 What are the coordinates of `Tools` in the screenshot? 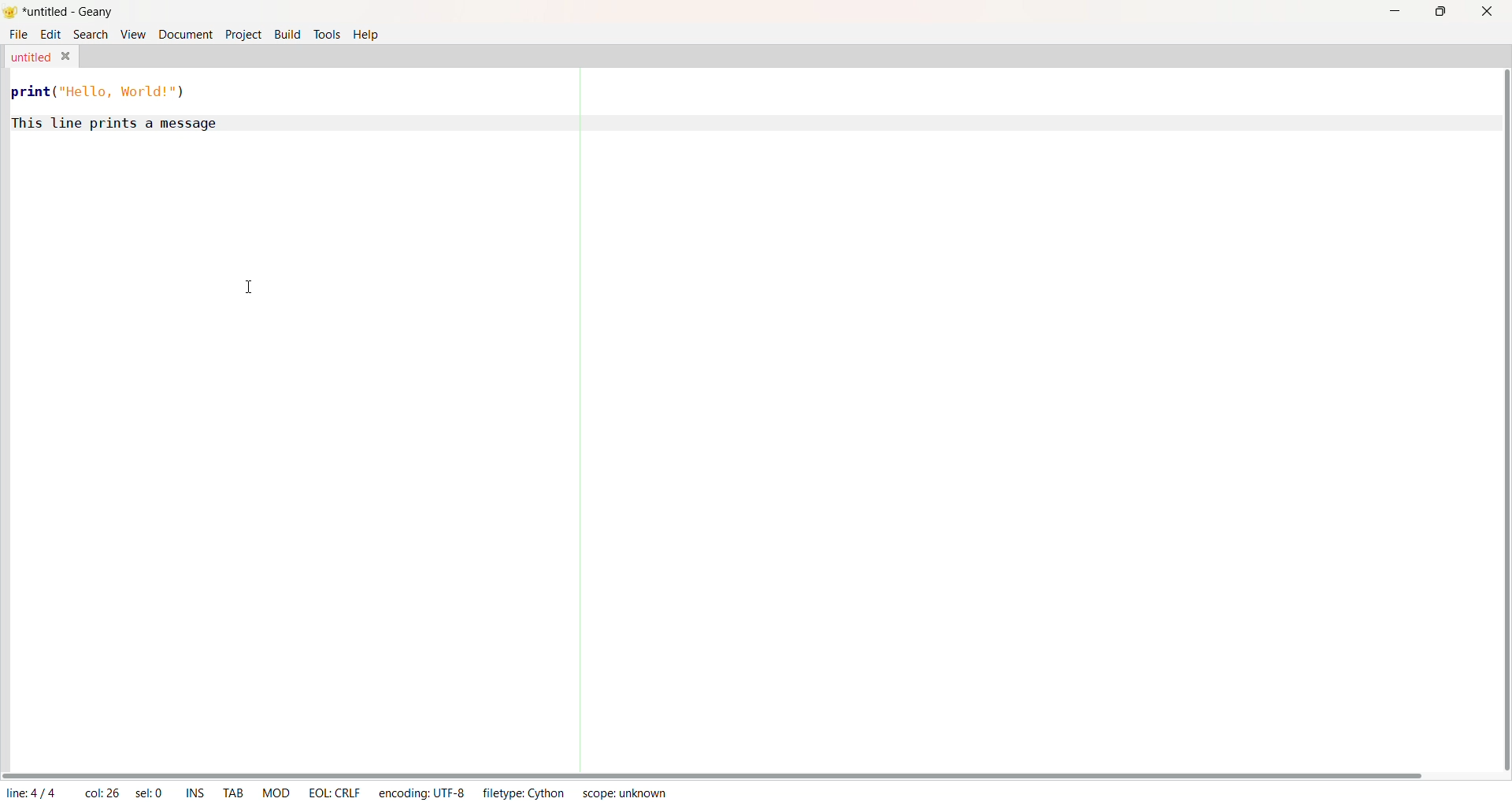 It's located at (325, 35).